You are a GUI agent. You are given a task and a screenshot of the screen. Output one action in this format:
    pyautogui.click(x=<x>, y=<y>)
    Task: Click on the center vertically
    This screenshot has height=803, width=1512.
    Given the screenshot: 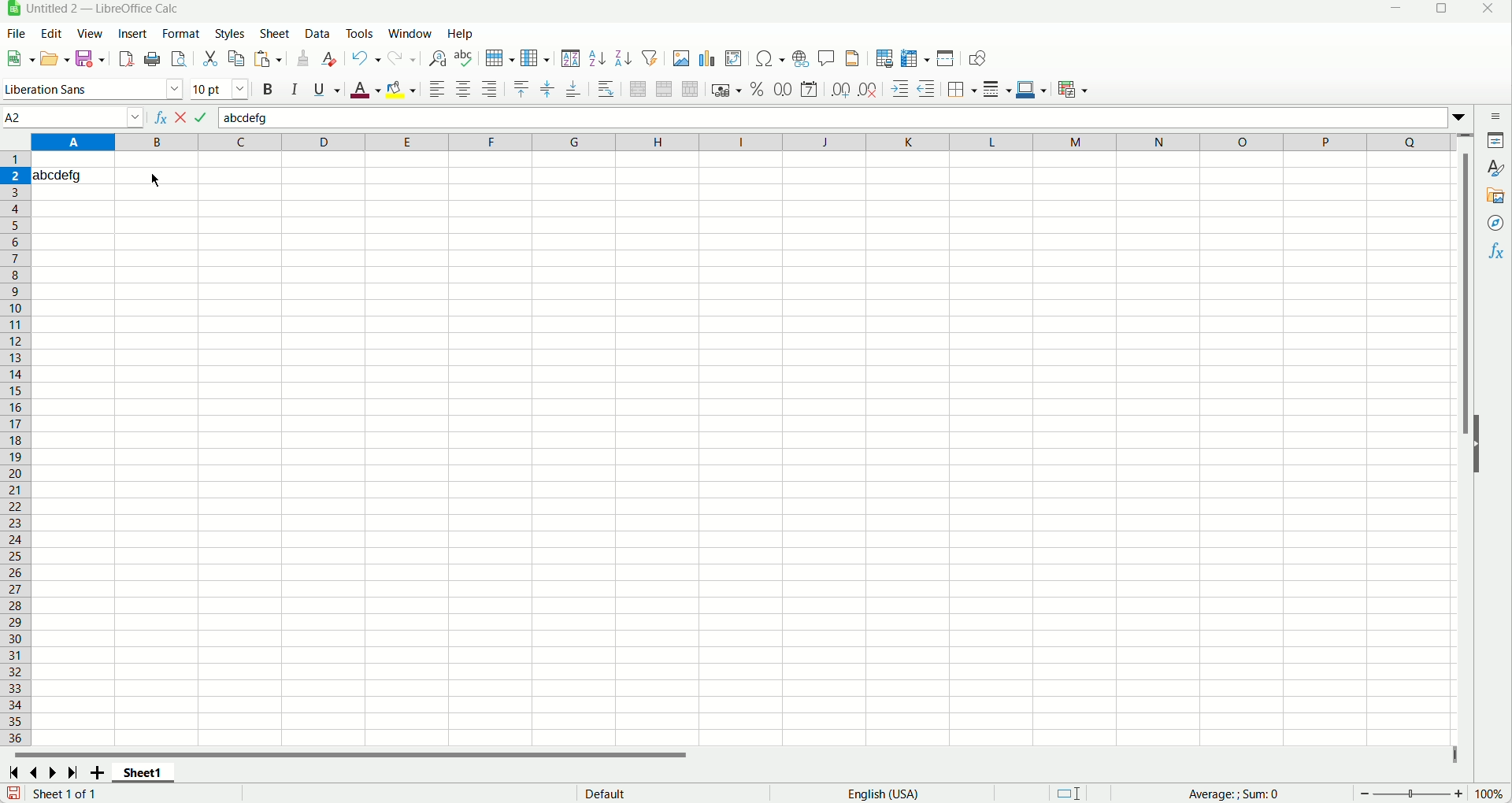 What is the action you would take?
    pyautogui.click(x=547, y=89)
    